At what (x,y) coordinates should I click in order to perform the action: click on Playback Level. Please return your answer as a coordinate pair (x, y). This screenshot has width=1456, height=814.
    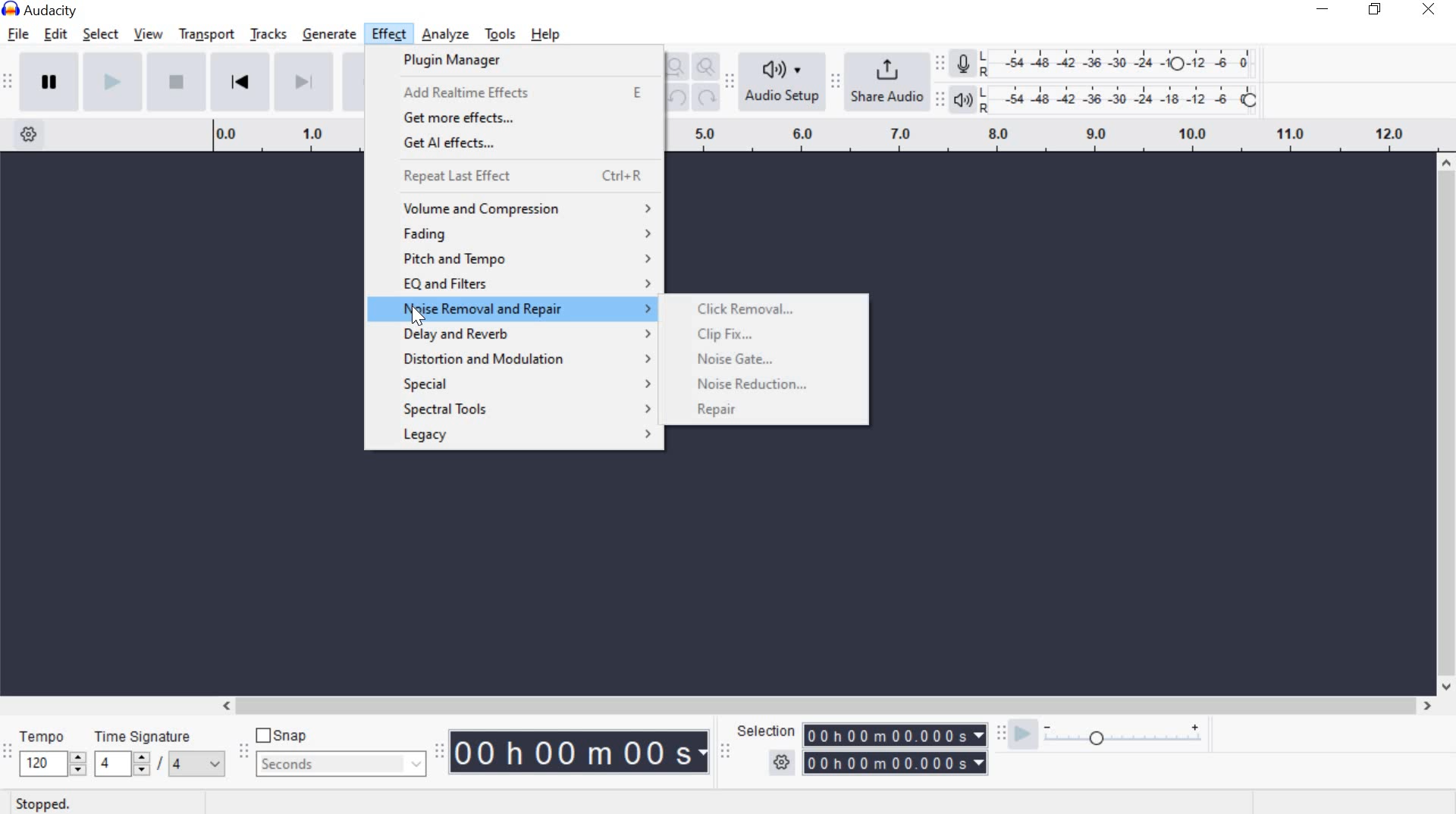
    Looking at the image, I should click on (1123, 97).